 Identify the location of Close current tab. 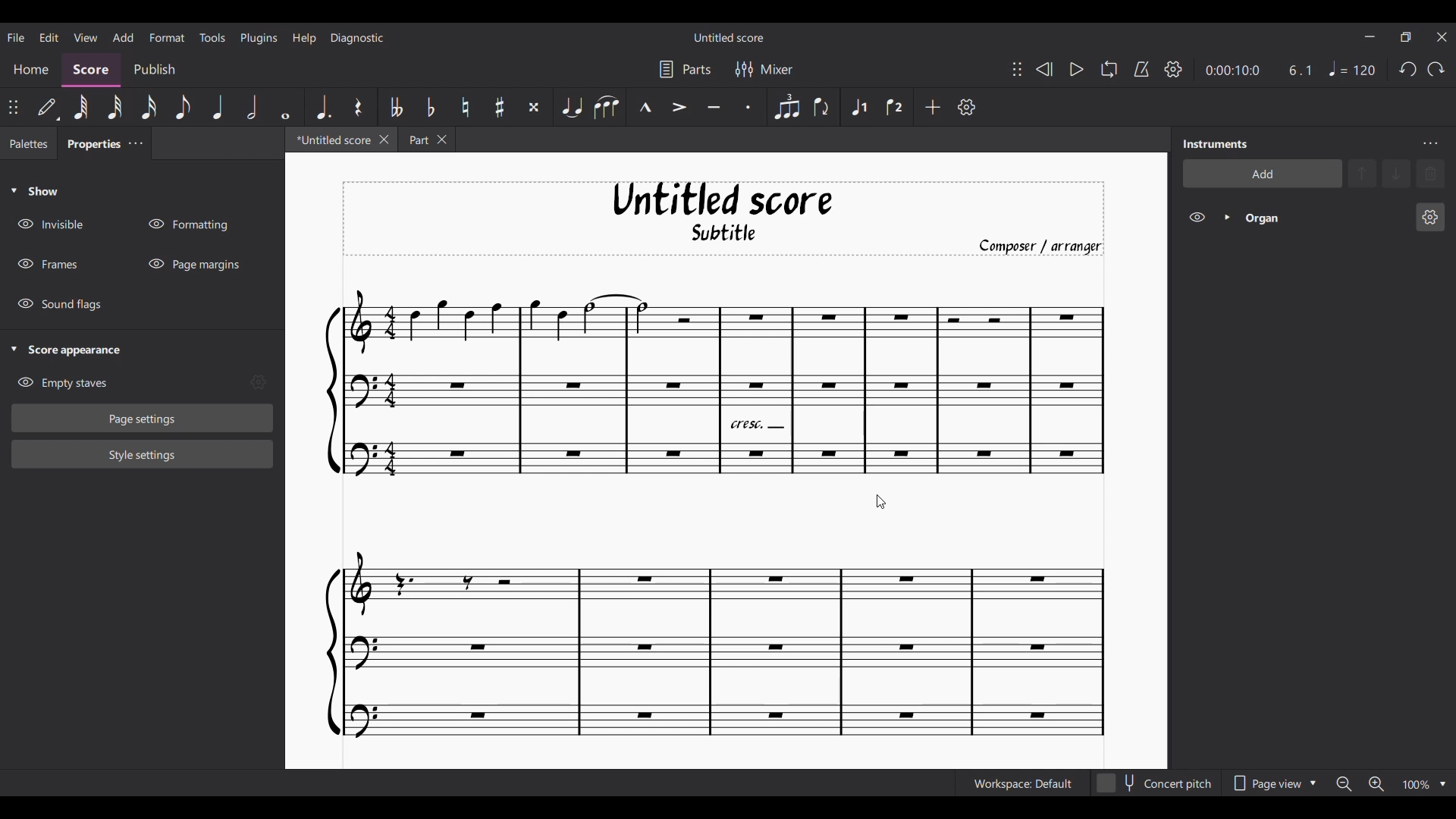
(384, 139).